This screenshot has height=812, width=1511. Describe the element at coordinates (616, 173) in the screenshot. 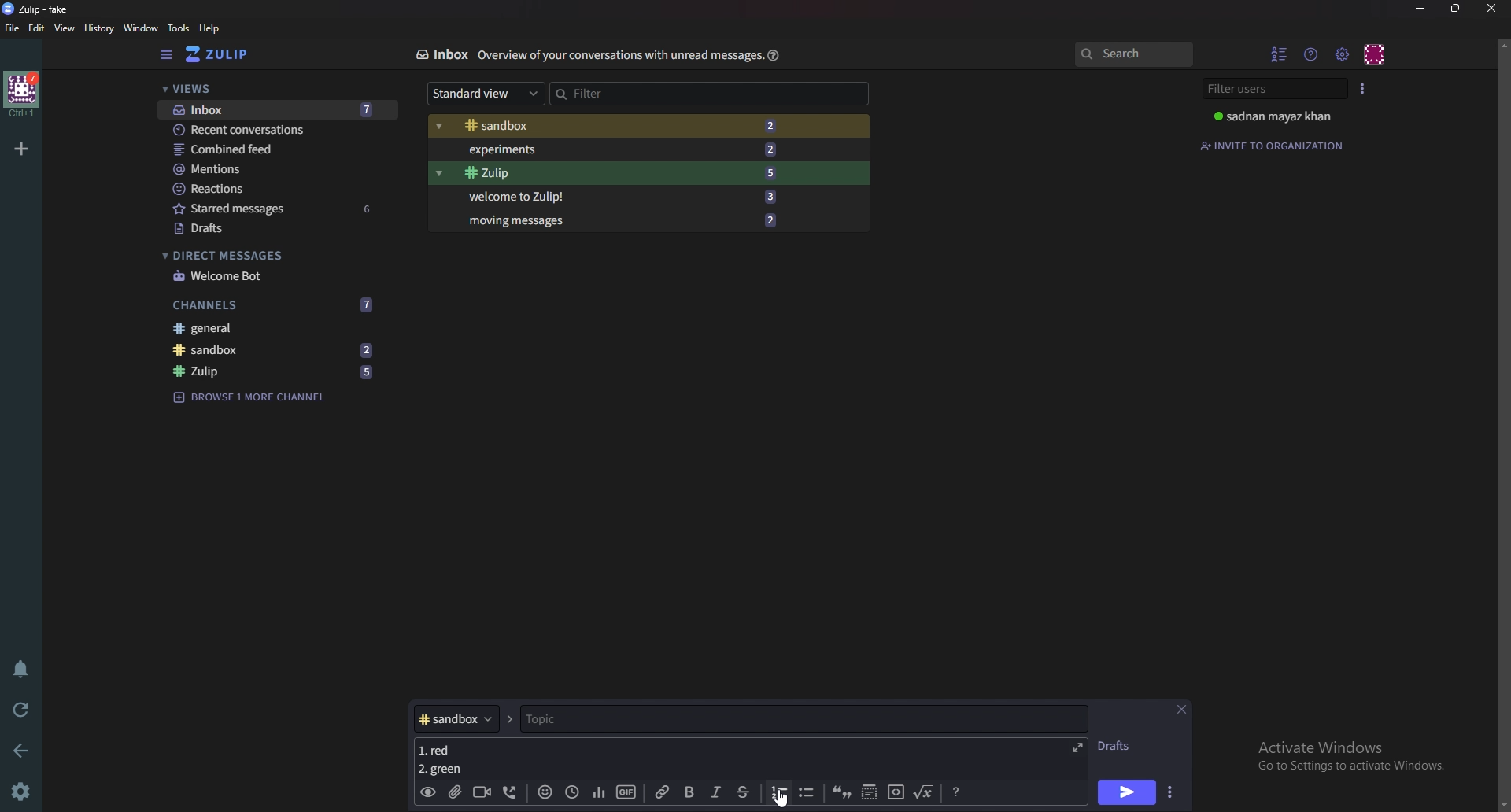

I see `Zulip` at that location.